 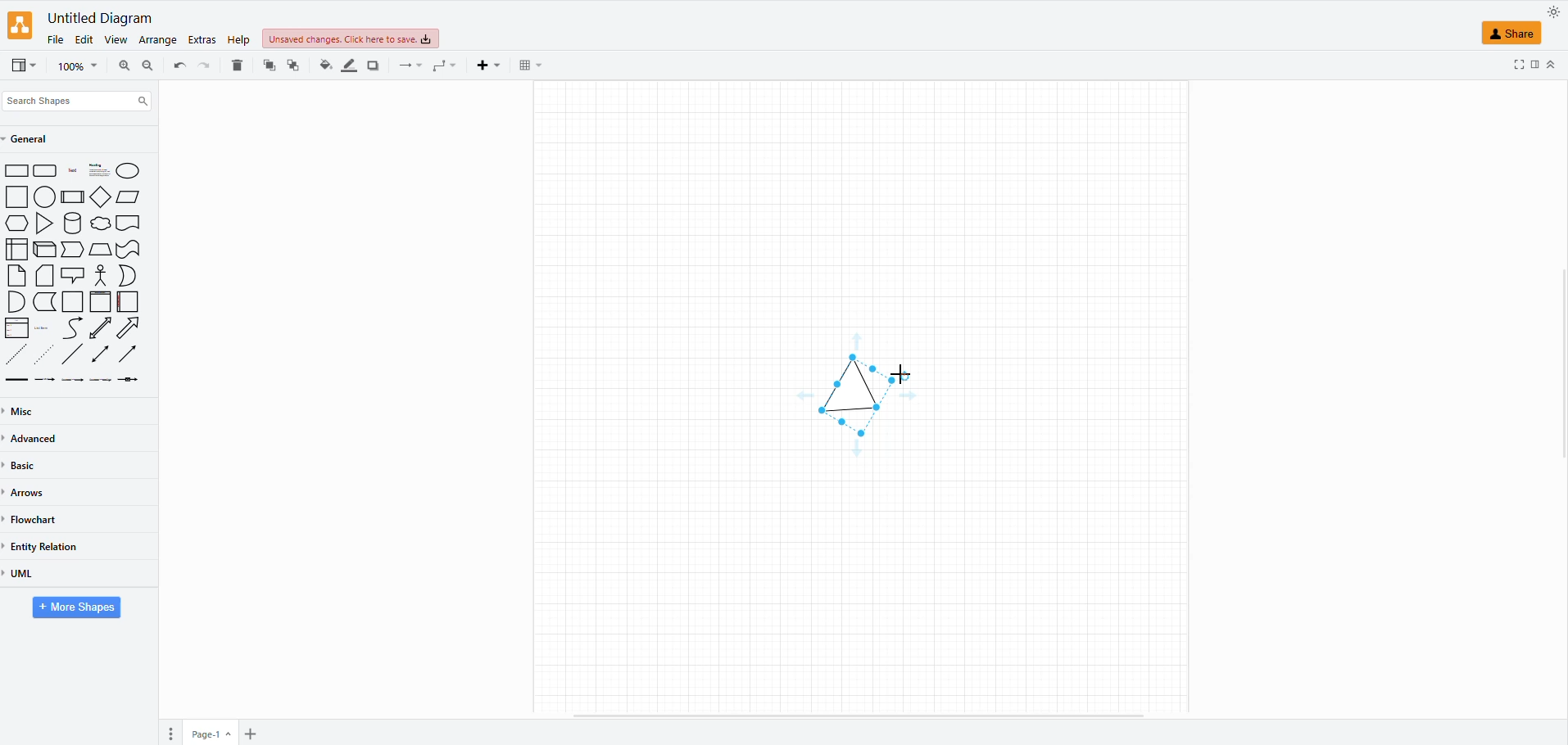 What do you see at coordinates (53, 542) in the screenshot?
I see `entity relation` at bounding box center [53, 542].